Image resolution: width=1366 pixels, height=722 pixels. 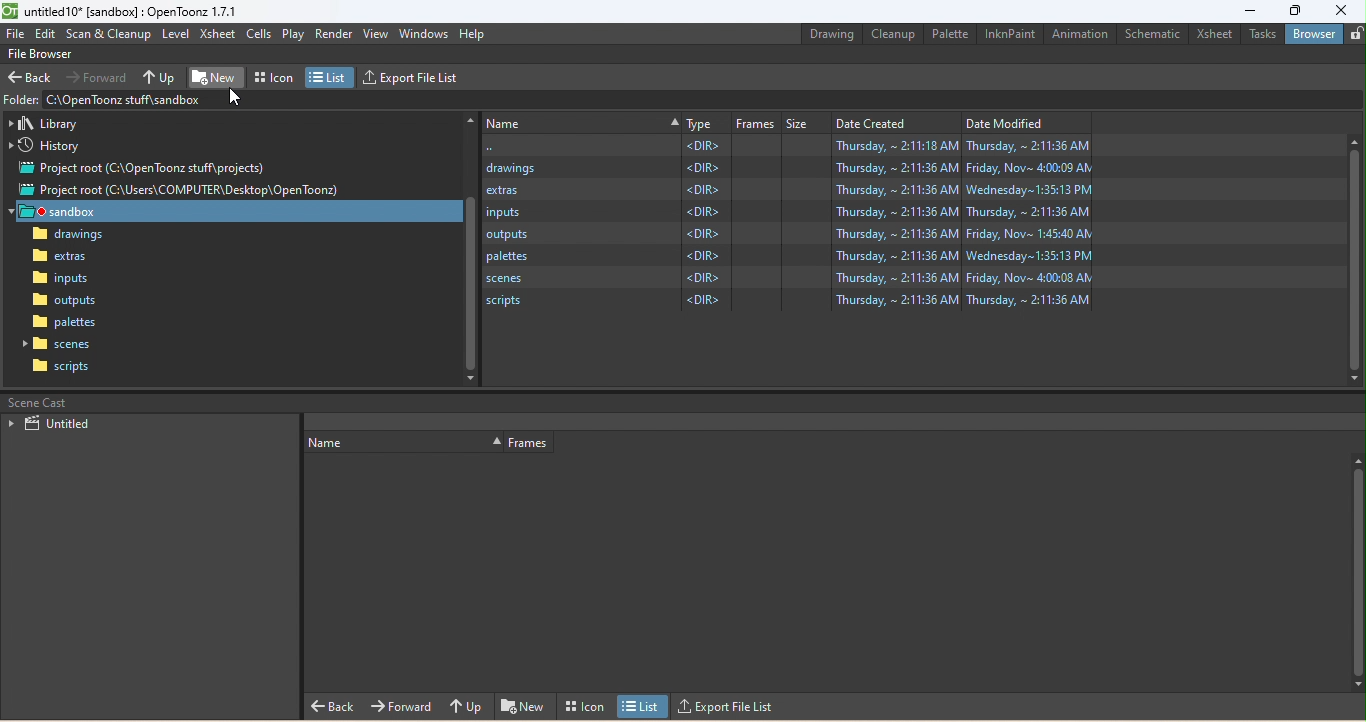 What do you see at coordinates (1021, 124) in the screenshot?
I see `Date modified` at bounding box center [1021, 124].